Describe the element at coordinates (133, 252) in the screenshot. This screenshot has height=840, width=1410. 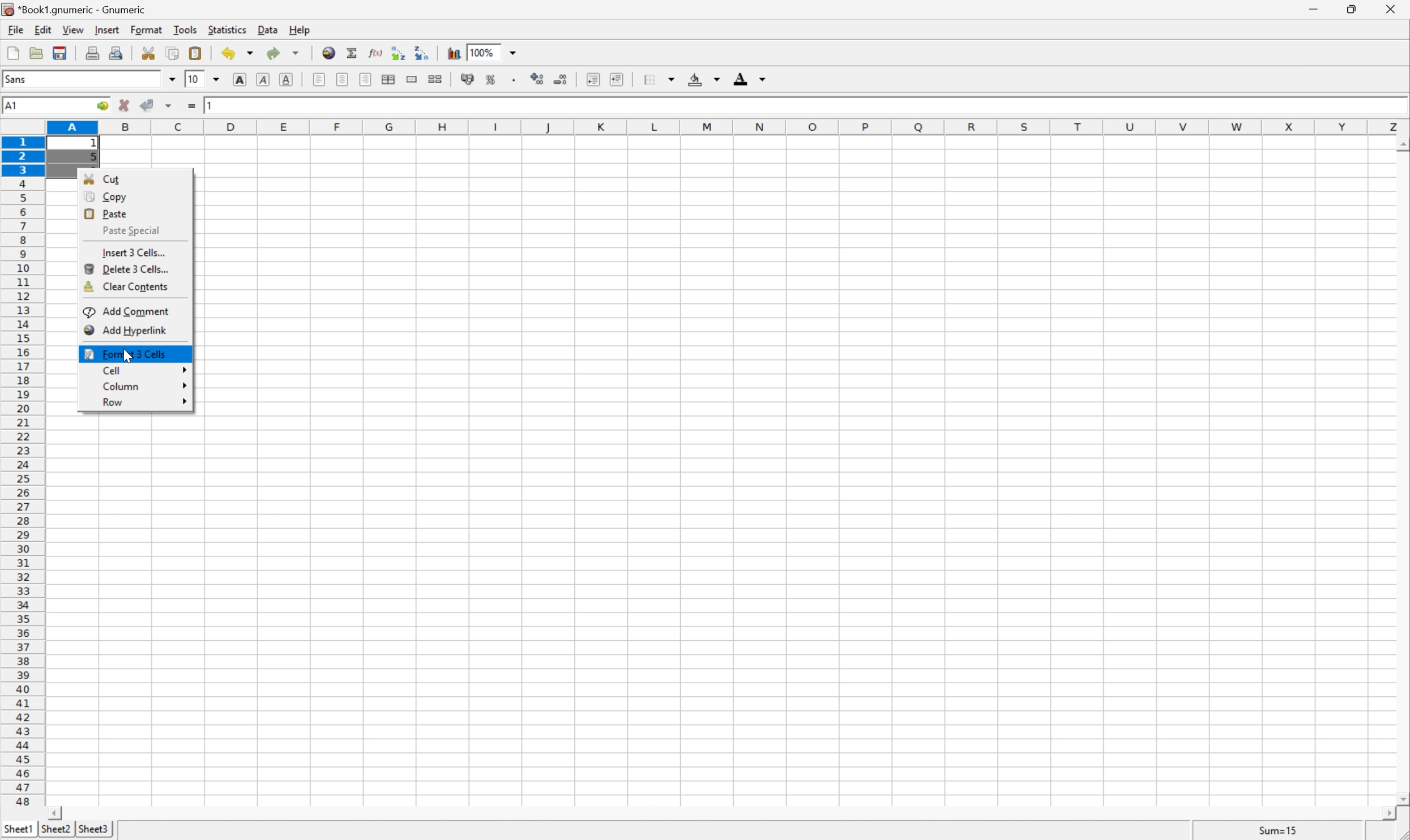
I see `insert 3 cells...` at that location.